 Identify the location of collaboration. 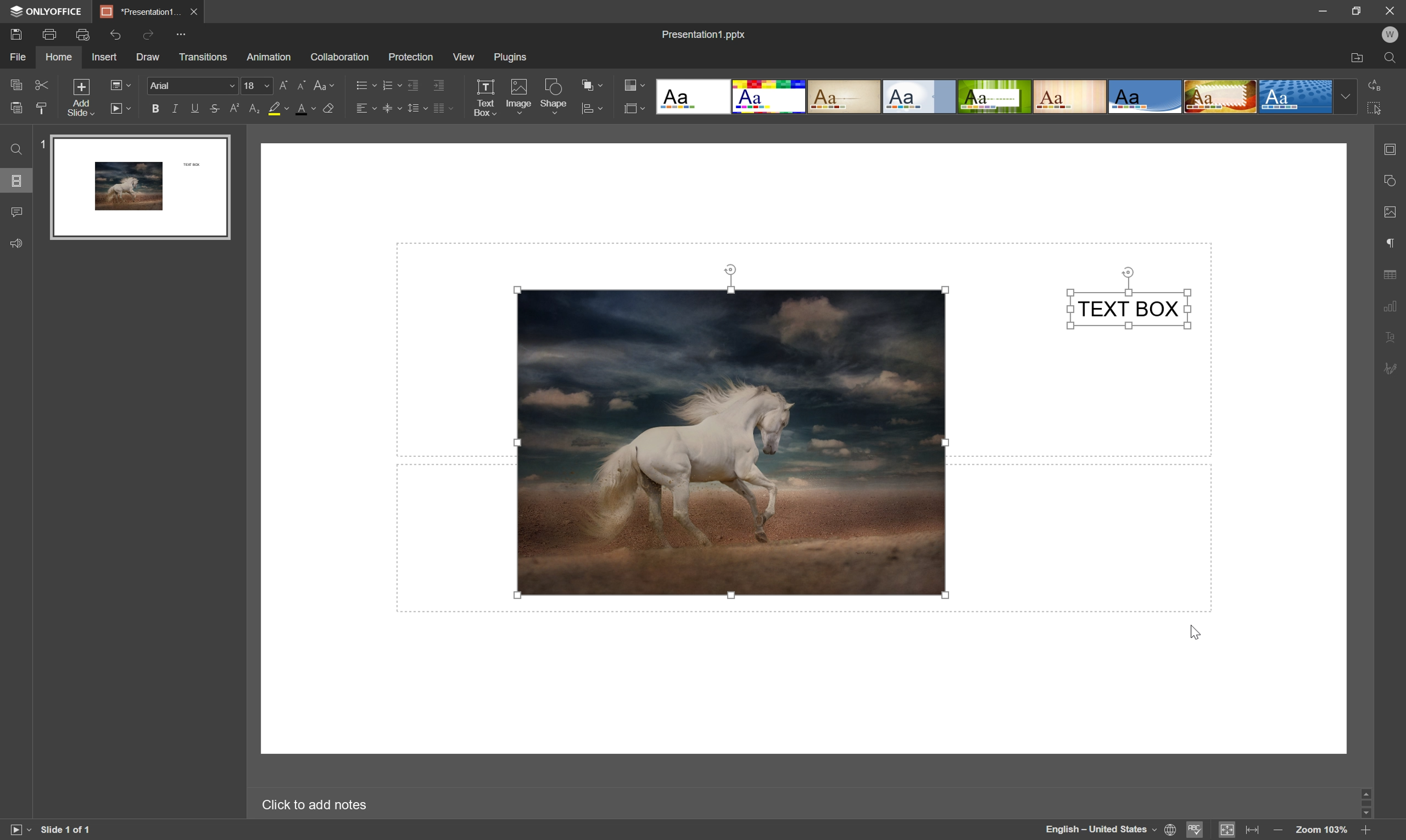
(342, 58).